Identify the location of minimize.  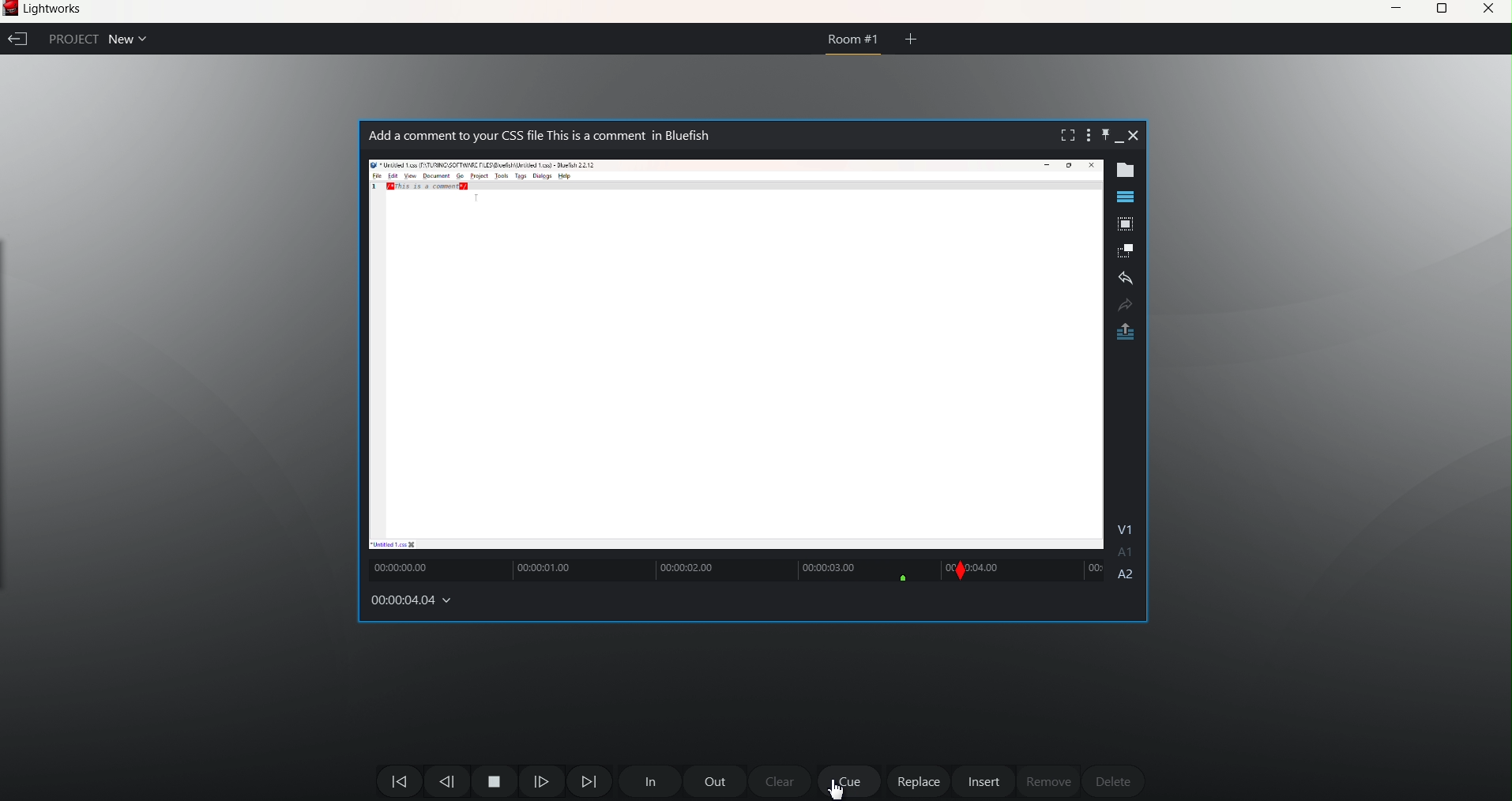
(1394, 8).